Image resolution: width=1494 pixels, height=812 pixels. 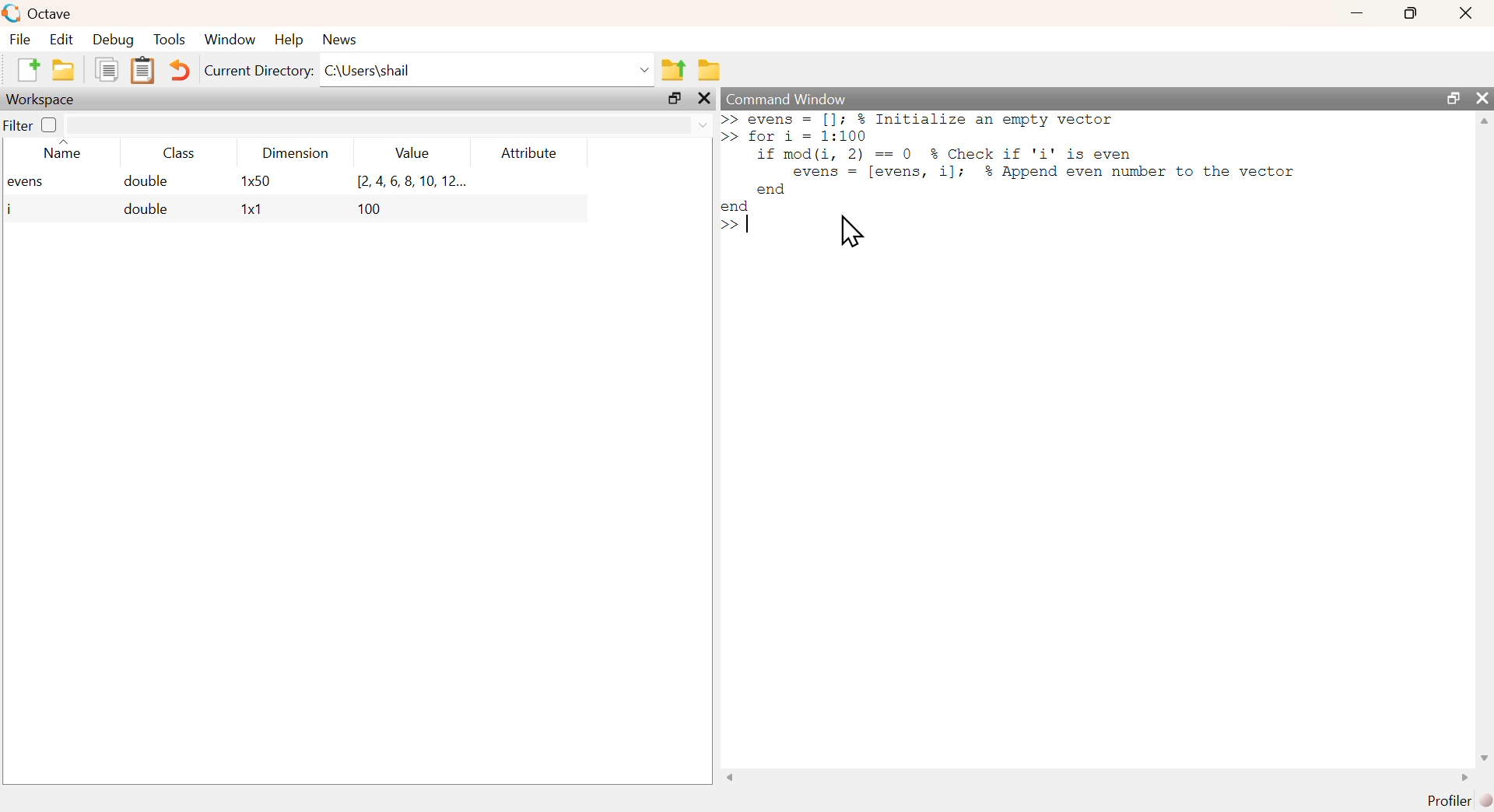 What do you see at coordinates (18, 124) in the screenshot?
I see `filter` at bounding box center [18, 124].